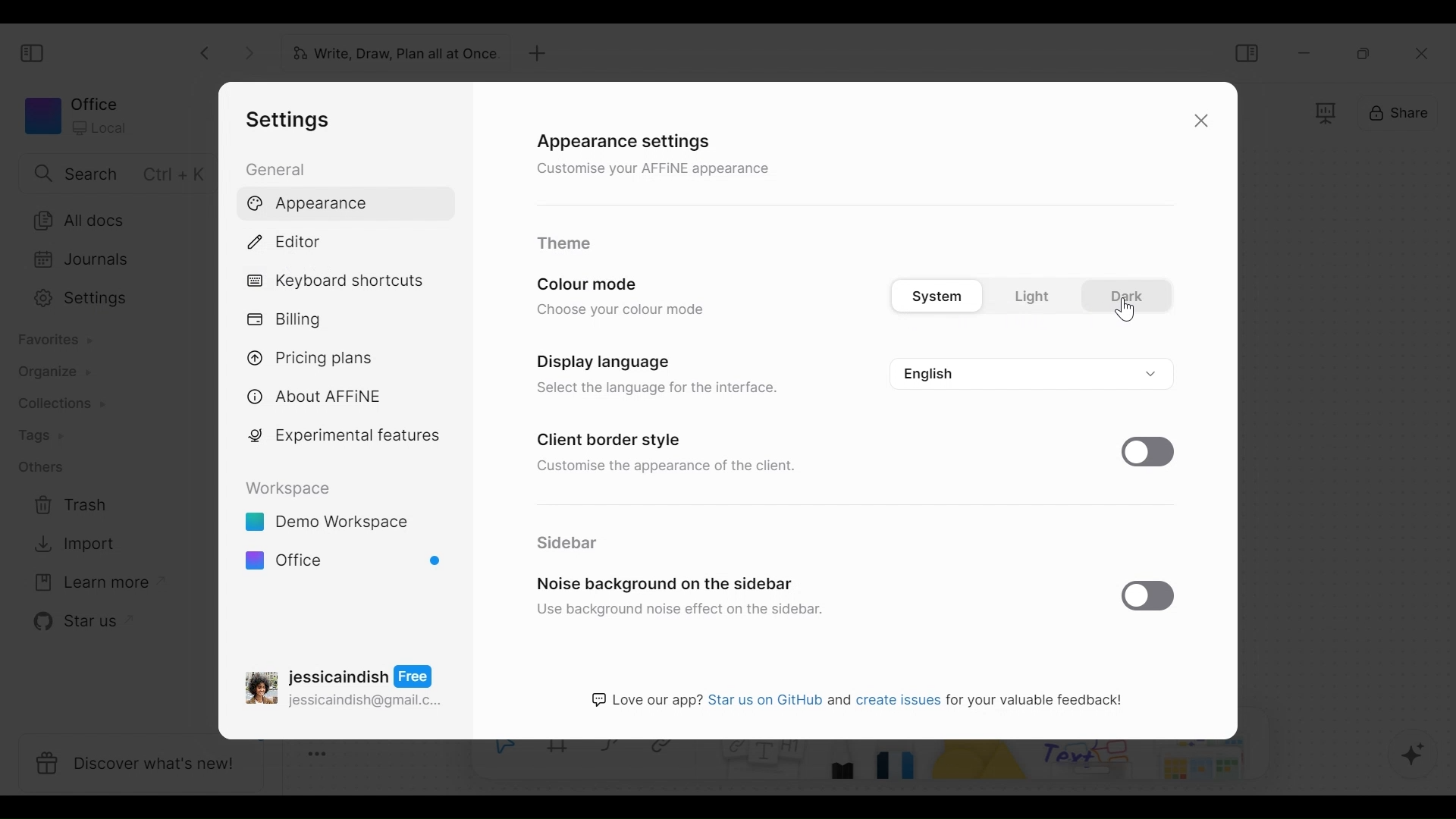  What do you see at coordinates (46, 436) in the screenshot?
I see `Tags` at bounding box center [46, 436].